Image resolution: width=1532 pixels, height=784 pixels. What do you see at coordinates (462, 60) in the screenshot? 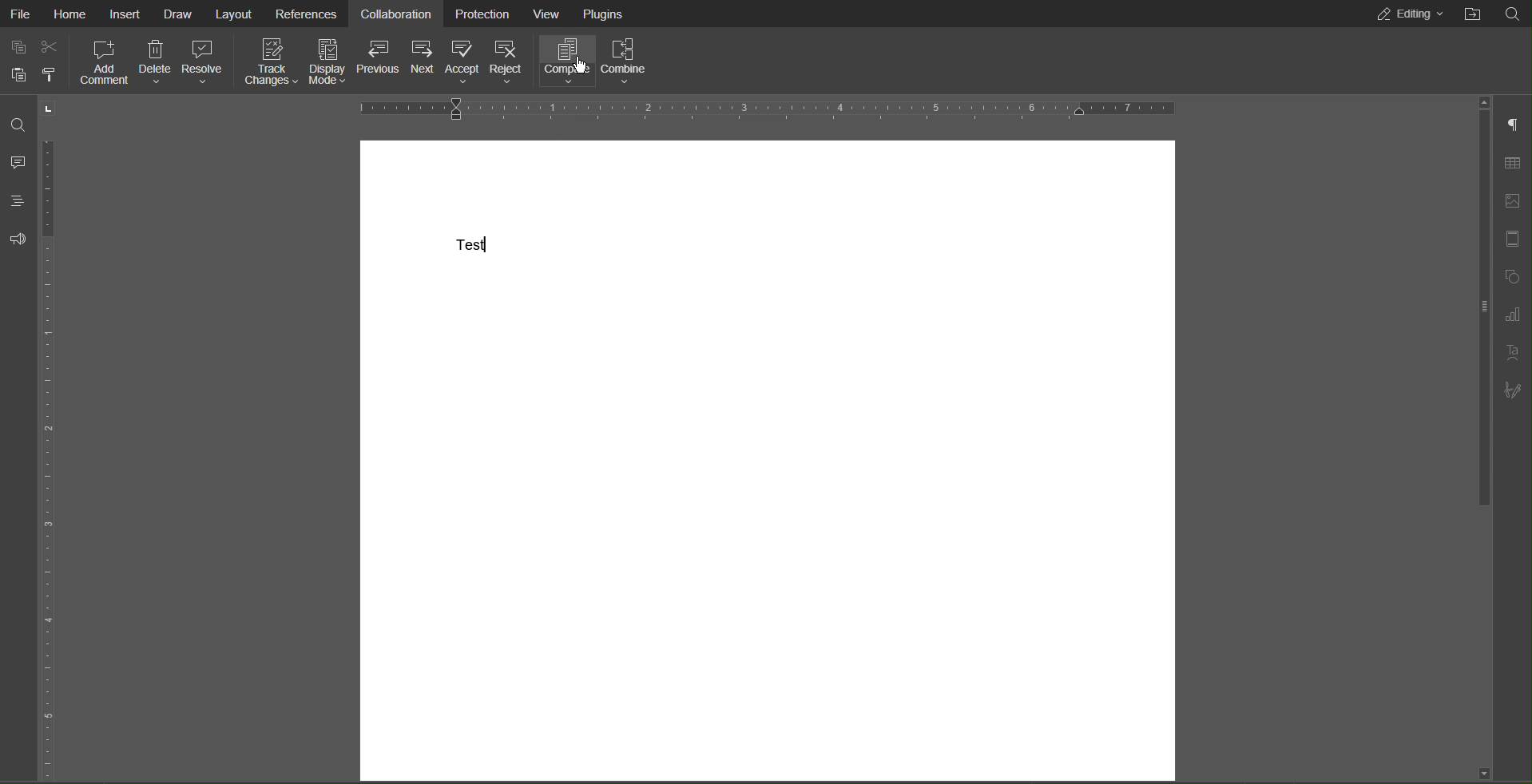
I see `Accept` at bounding box center [462, 60].